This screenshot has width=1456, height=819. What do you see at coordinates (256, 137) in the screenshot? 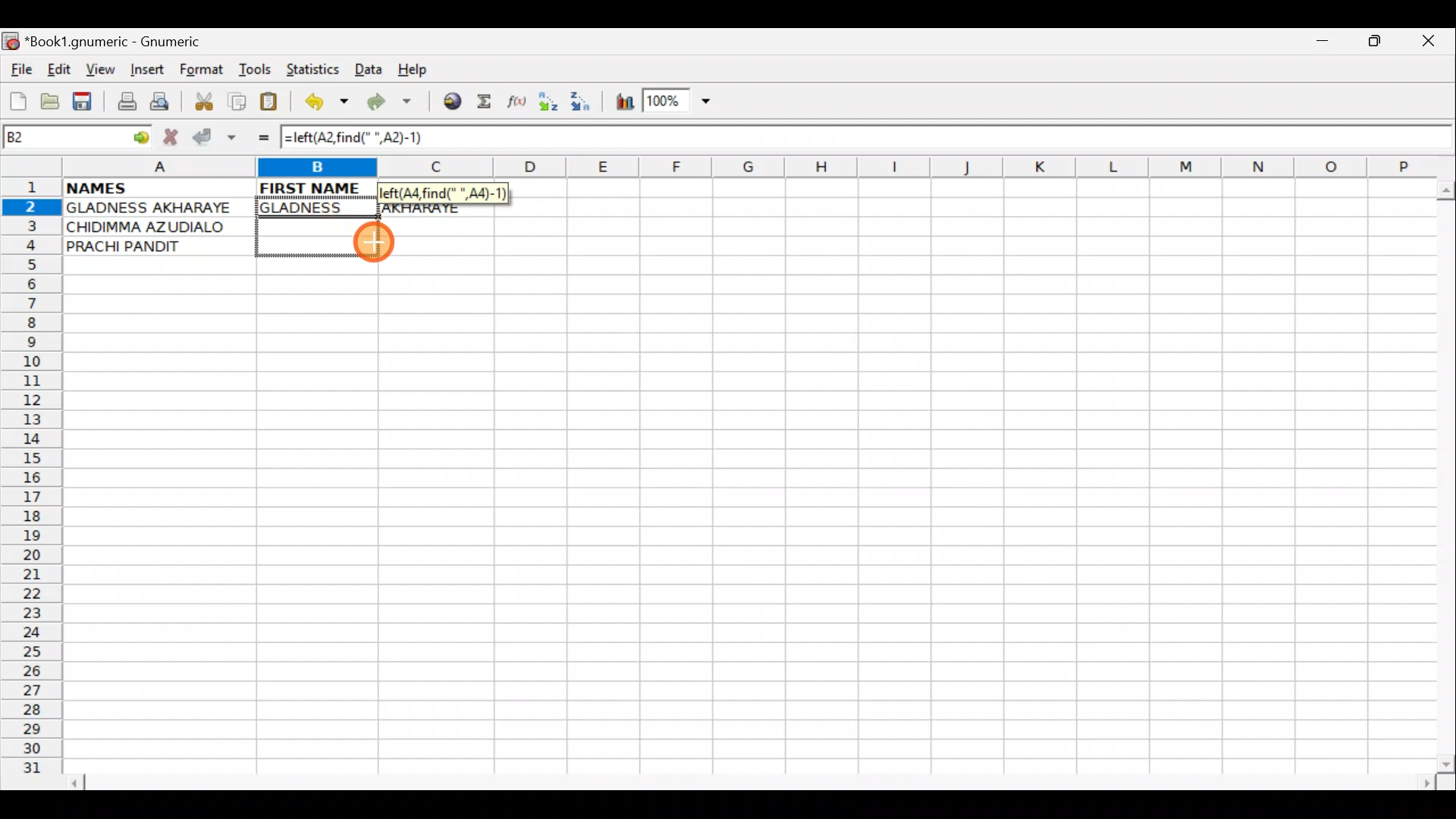
I see `Enter formula` at bounding box center [256, 137].